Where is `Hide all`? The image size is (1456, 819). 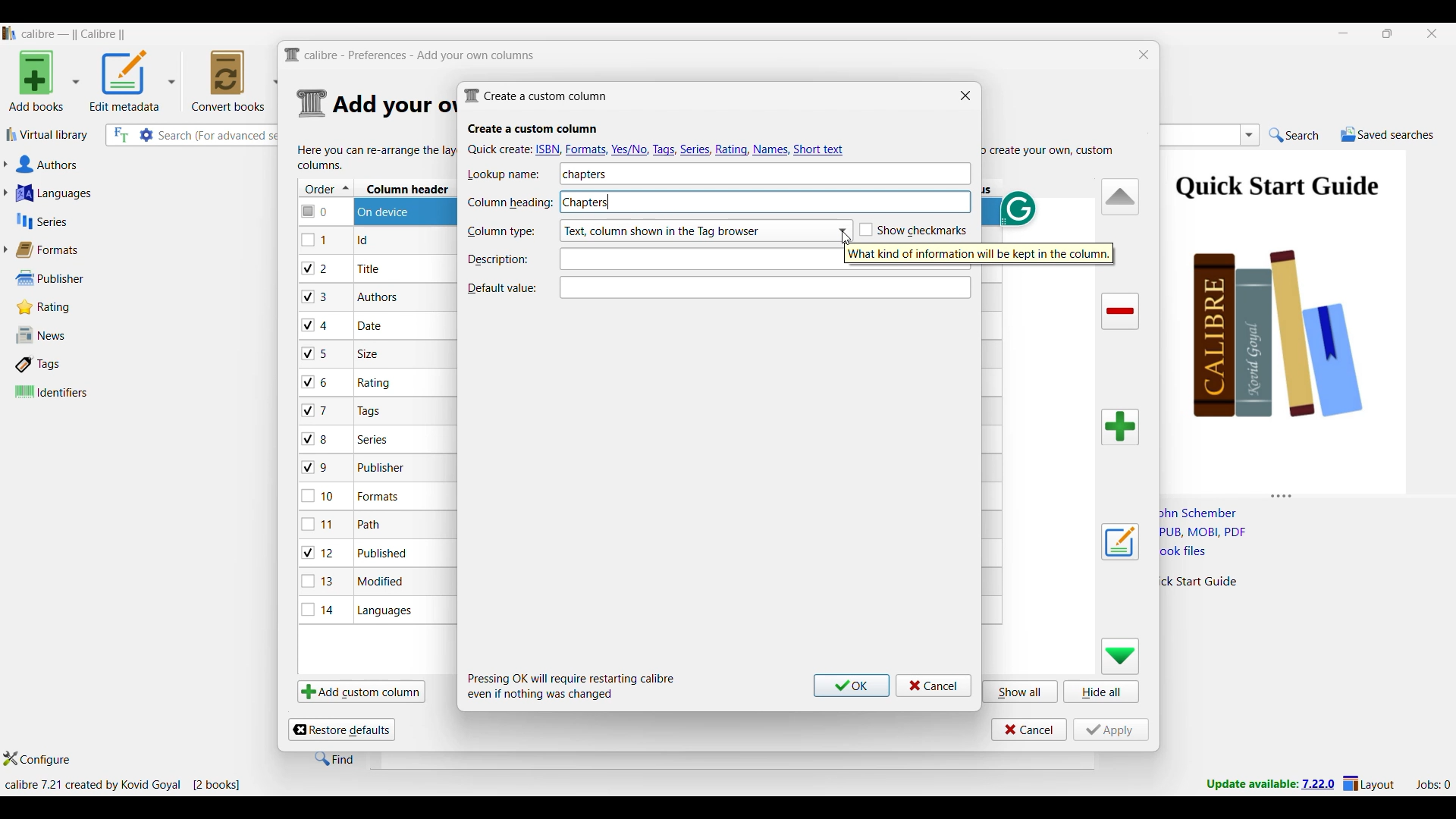 Hide all is located at coordinates (1101, 692).